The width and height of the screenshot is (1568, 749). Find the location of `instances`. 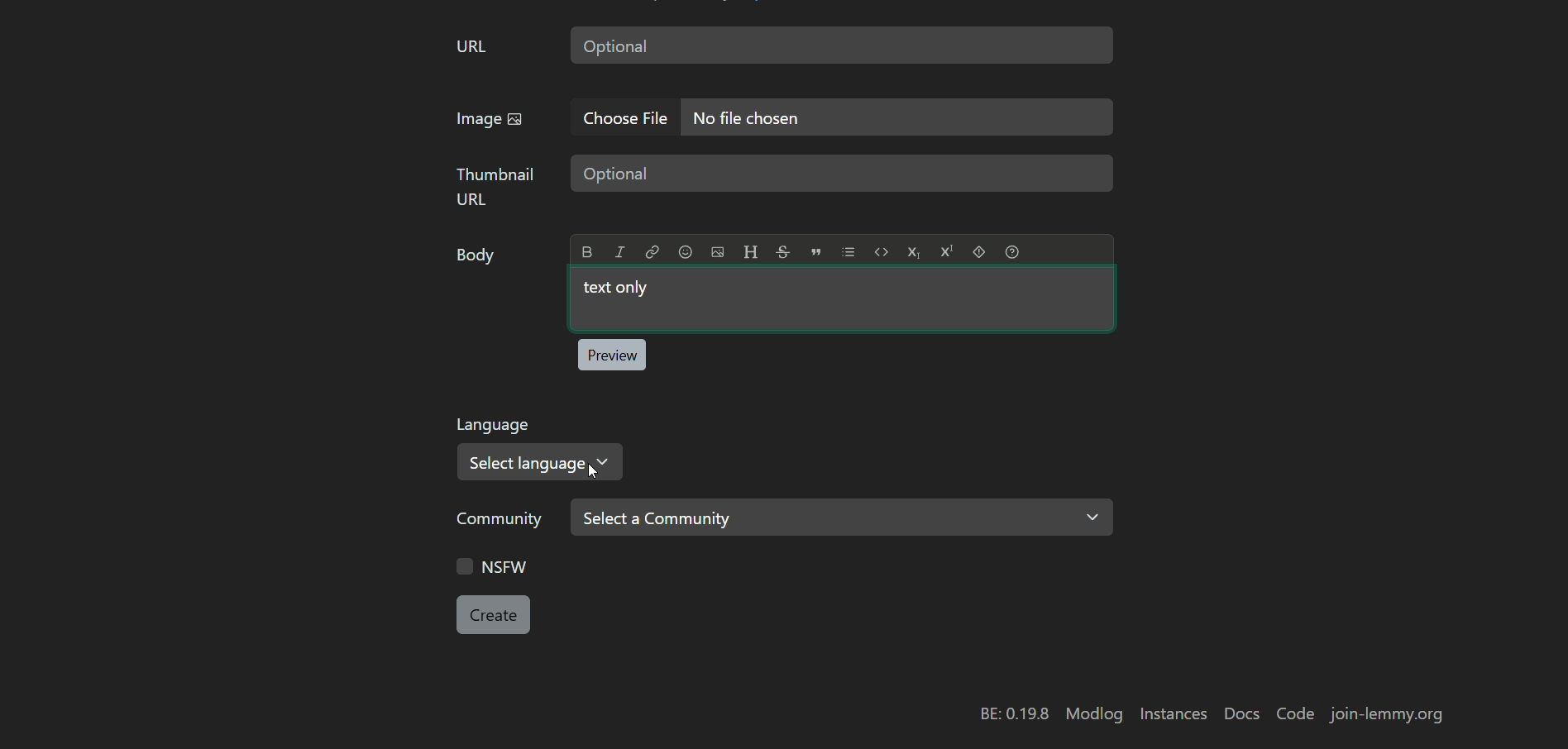

instances is located at coordinates (1172, 713).